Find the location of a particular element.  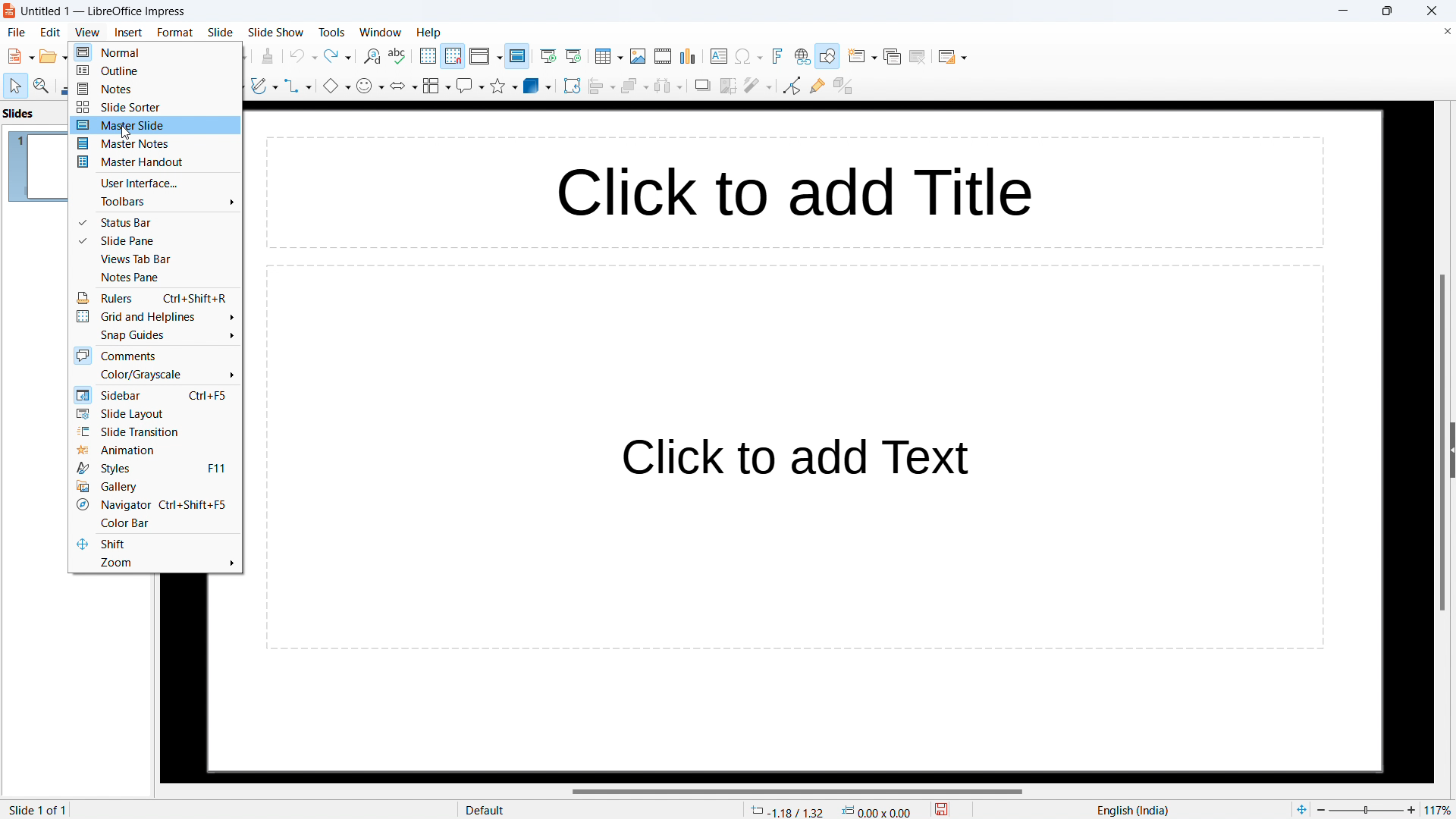

toolbars is located at coordinates (155, 202).